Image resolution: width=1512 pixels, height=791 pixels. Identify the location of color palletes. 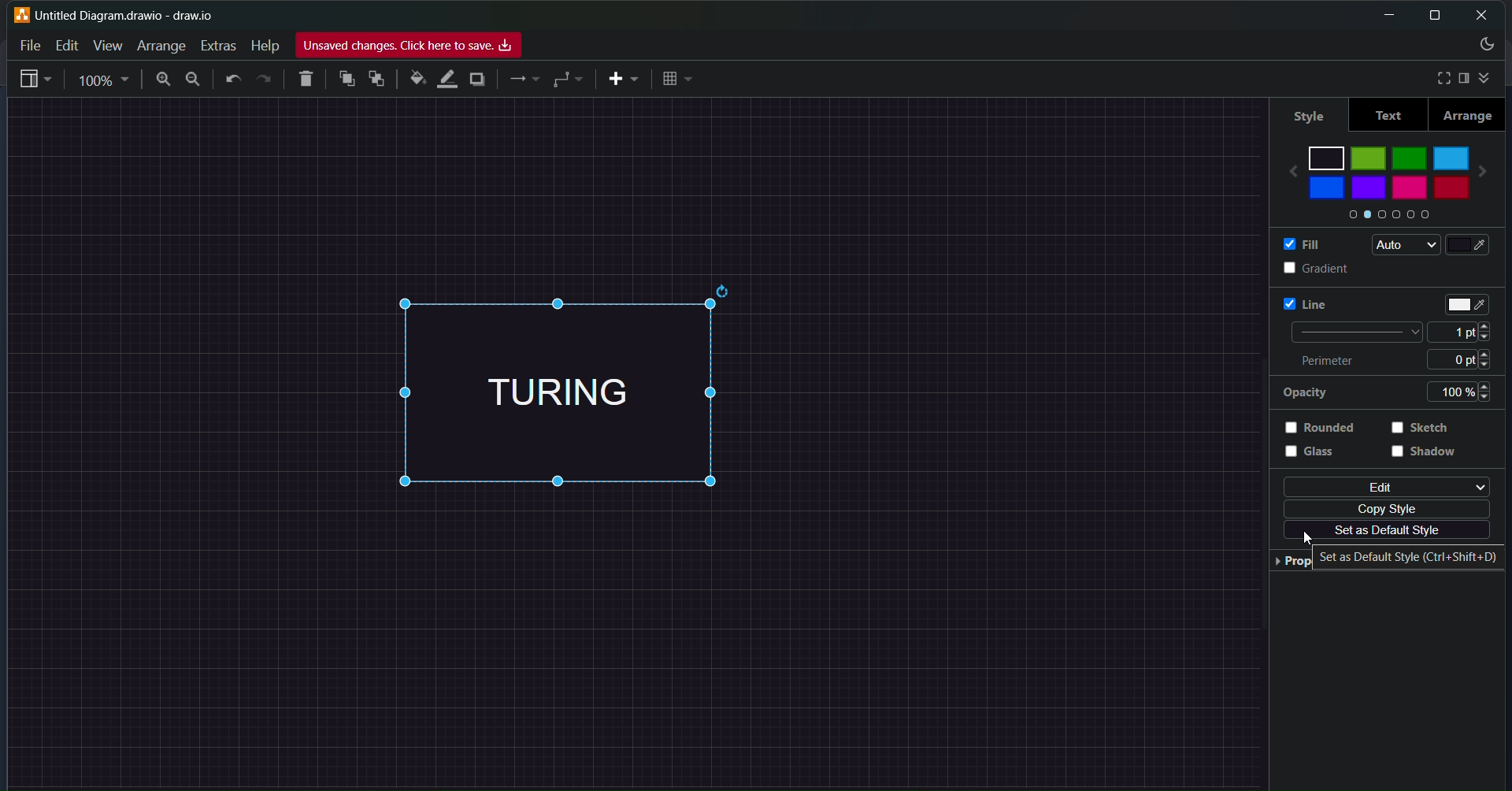
(1385, 217).